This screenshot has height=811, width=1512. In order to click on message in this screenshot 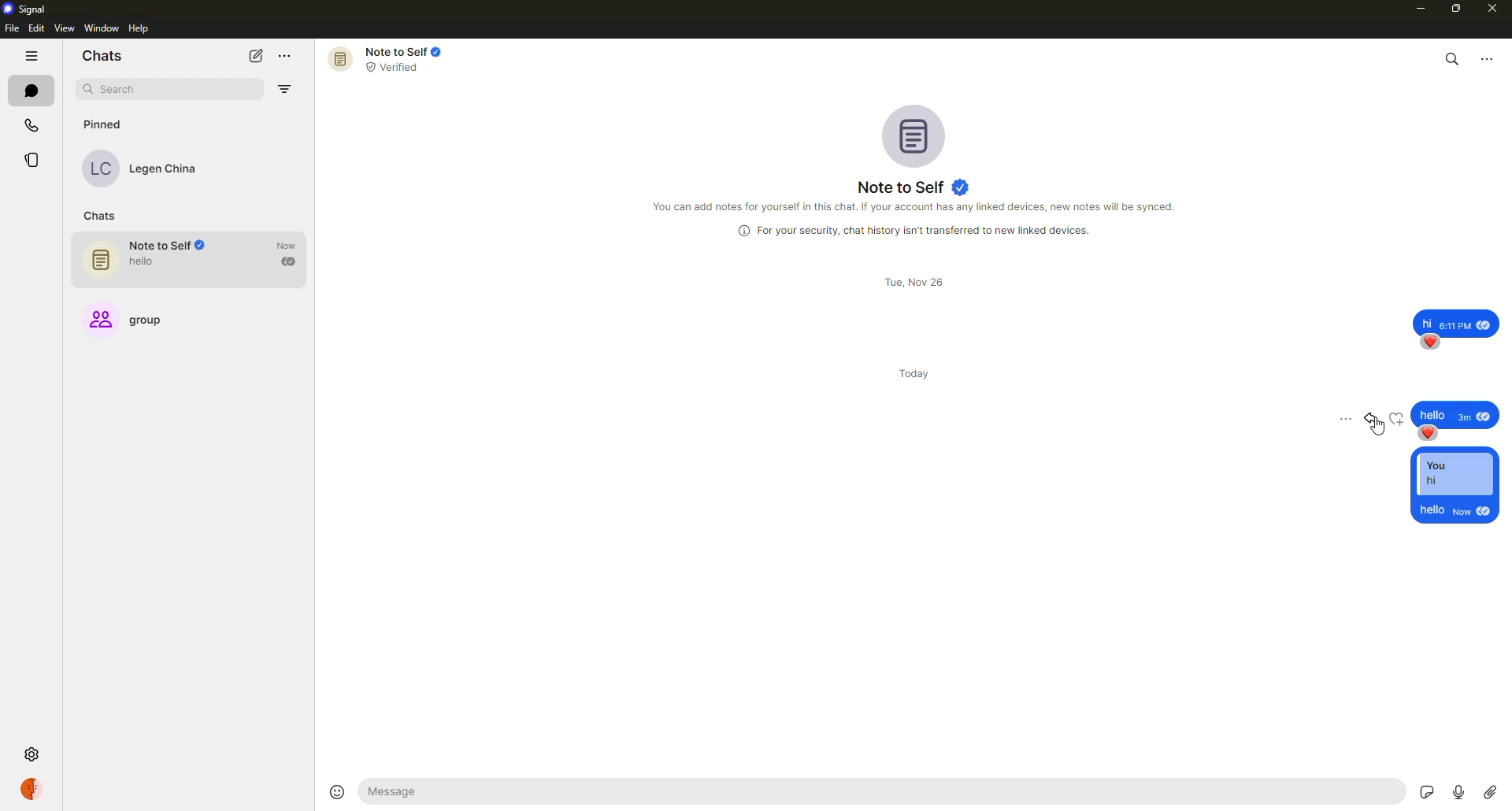, I will do `click(1457, 414)`.